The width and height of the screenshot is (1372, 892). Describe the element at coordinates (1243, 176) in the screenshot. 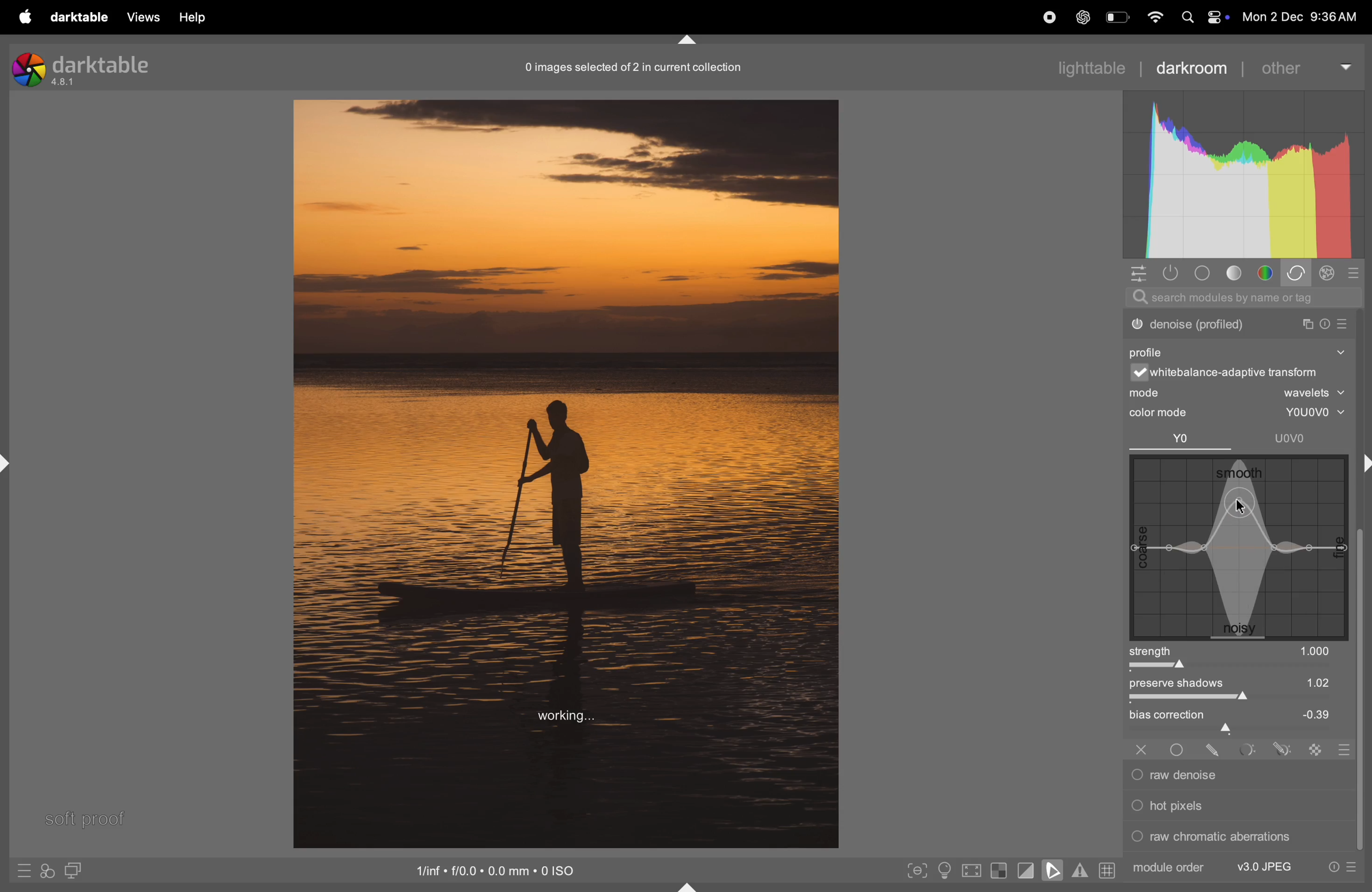

I see `histogram` at that location.